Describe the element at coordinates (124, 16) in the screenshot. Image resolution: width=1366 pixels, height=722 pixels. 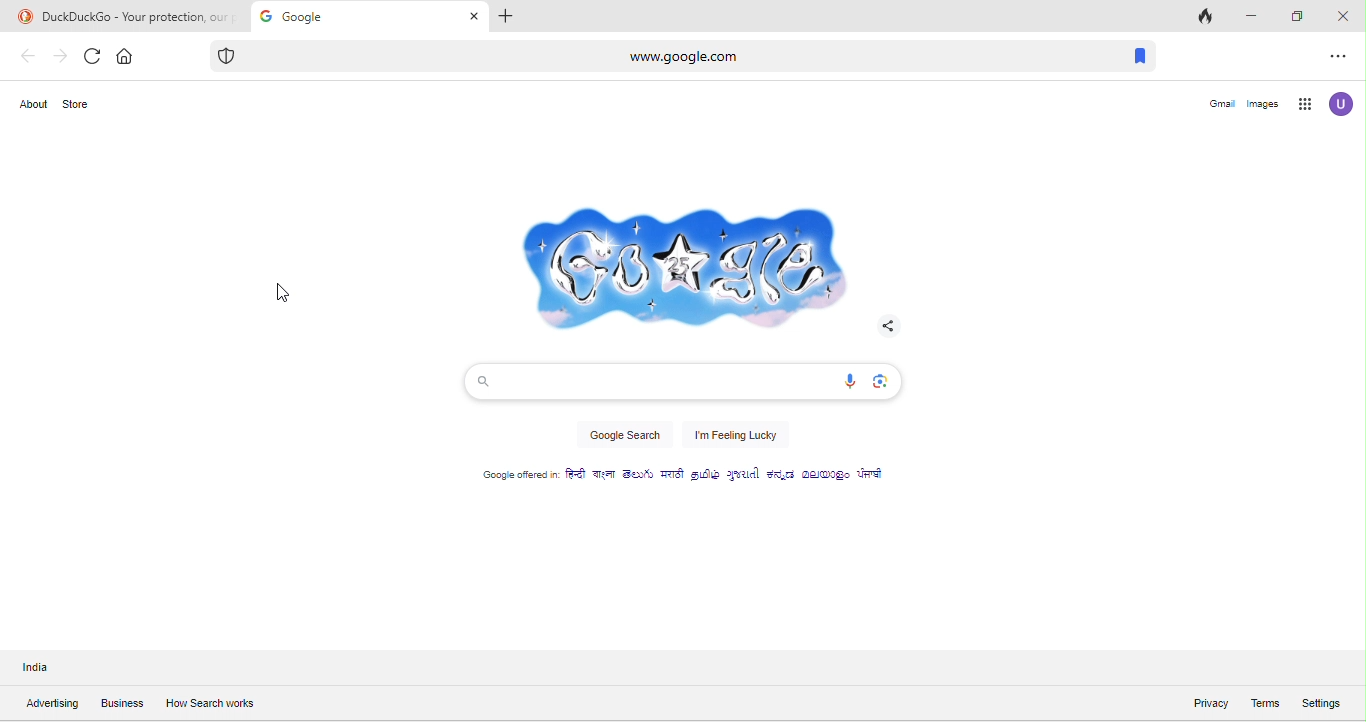
I see `DuckGoDuckGo - Your protection` at that location.